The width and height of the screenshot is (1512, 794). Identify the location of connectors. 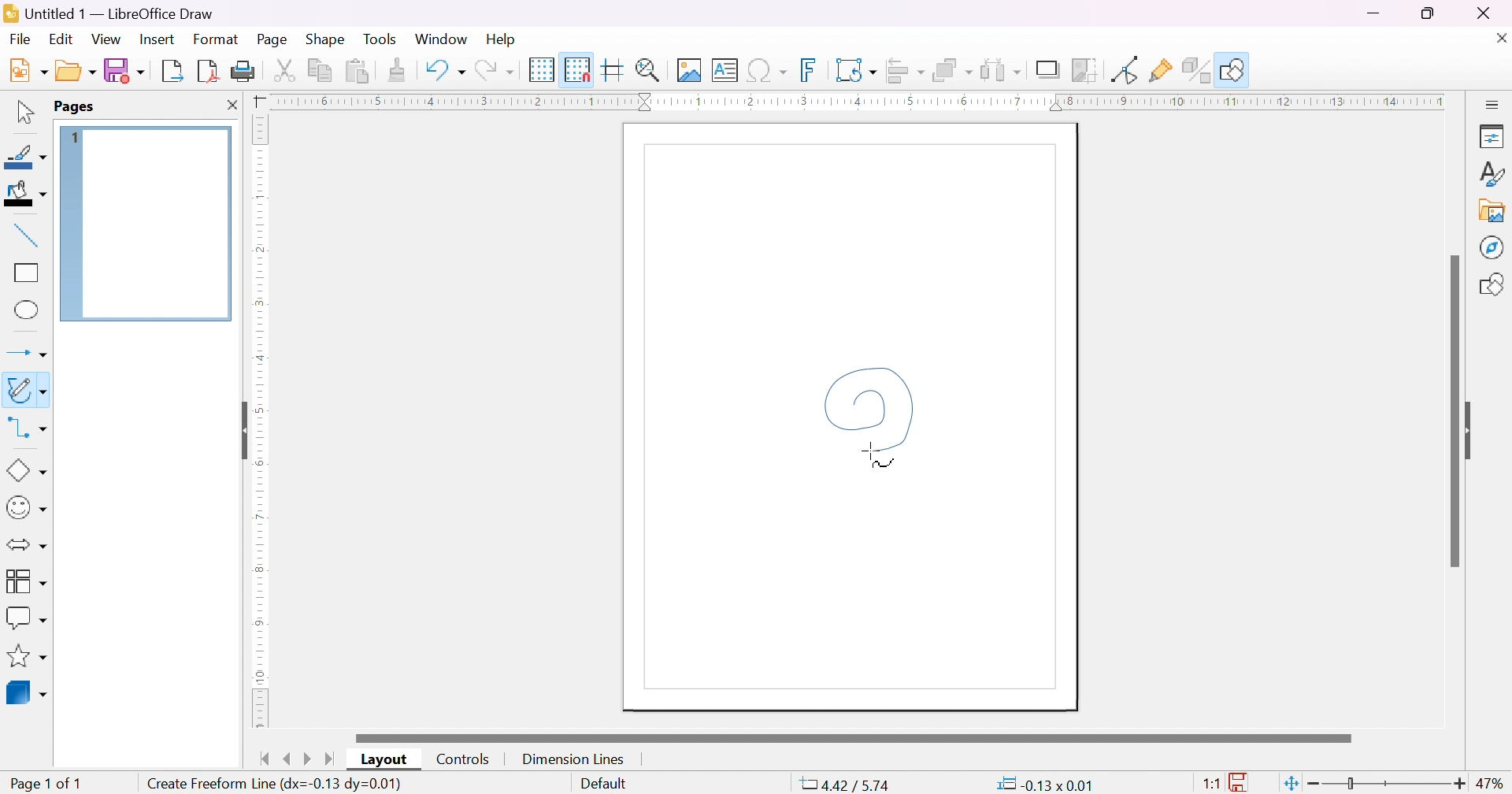
(23, 429).